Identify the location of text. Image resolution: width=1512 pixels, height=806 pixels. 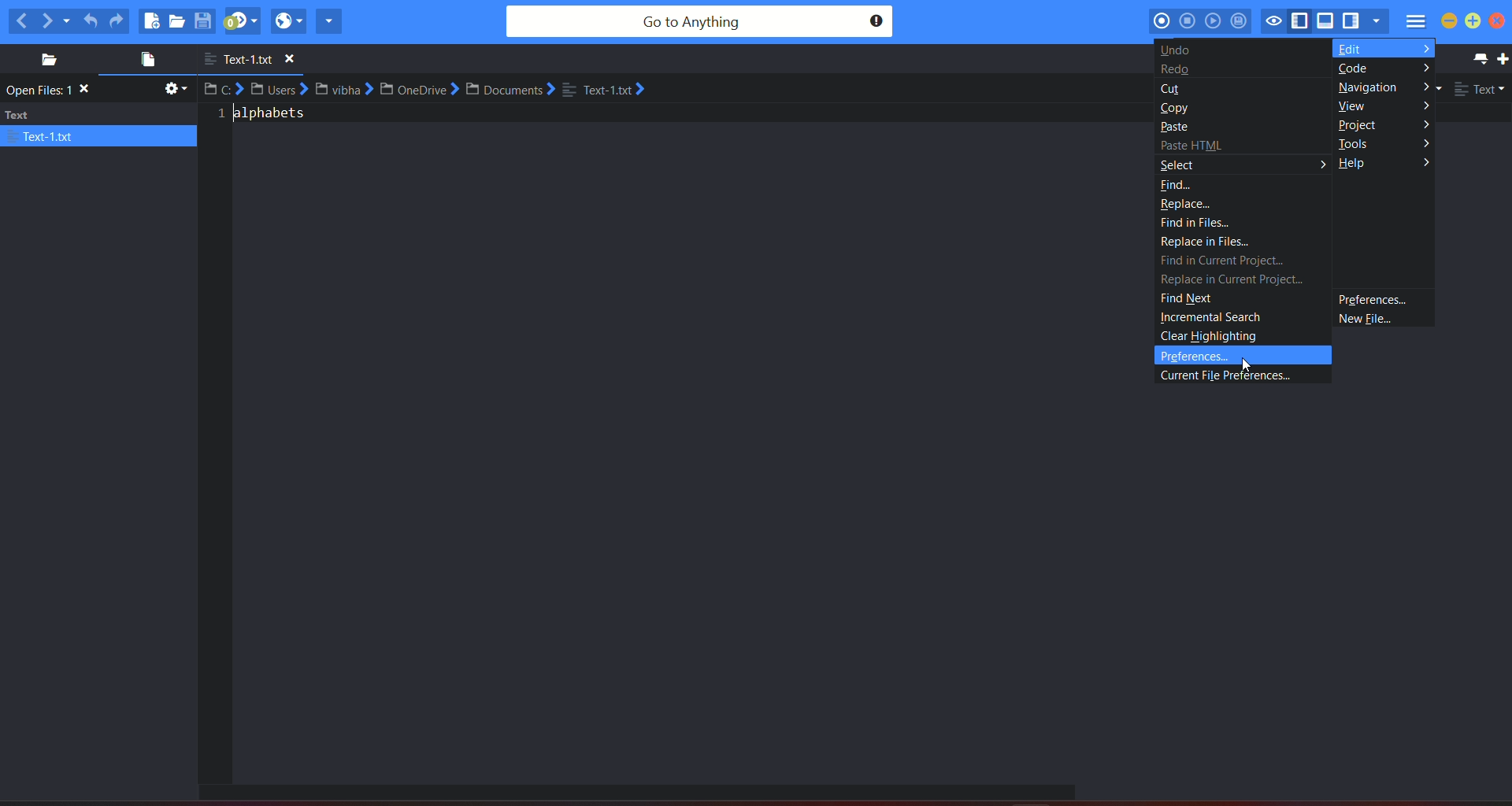
(266, 119).